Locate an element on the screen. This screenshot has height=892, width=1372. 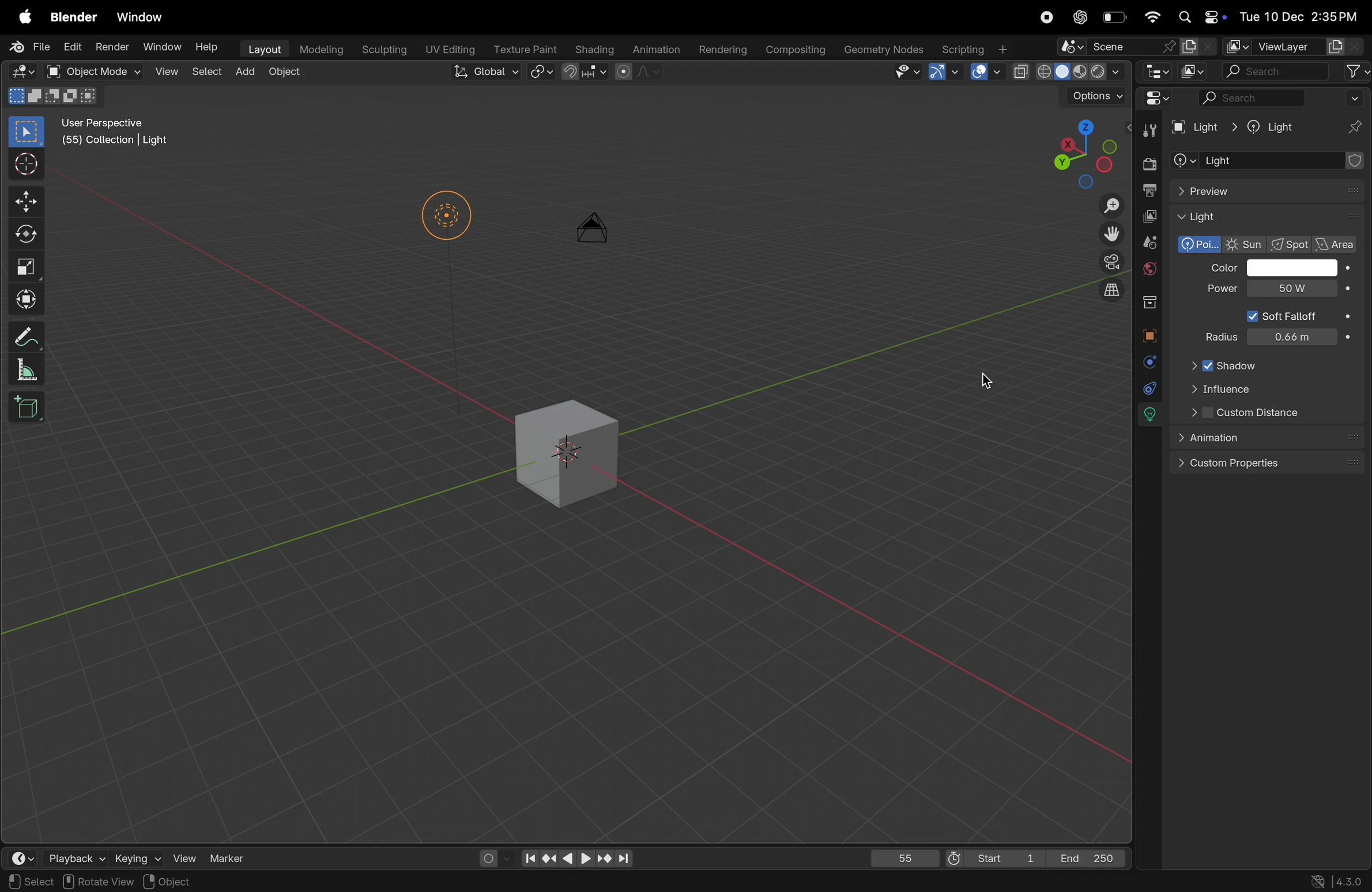
cursor is located at coordinates (990, 382).